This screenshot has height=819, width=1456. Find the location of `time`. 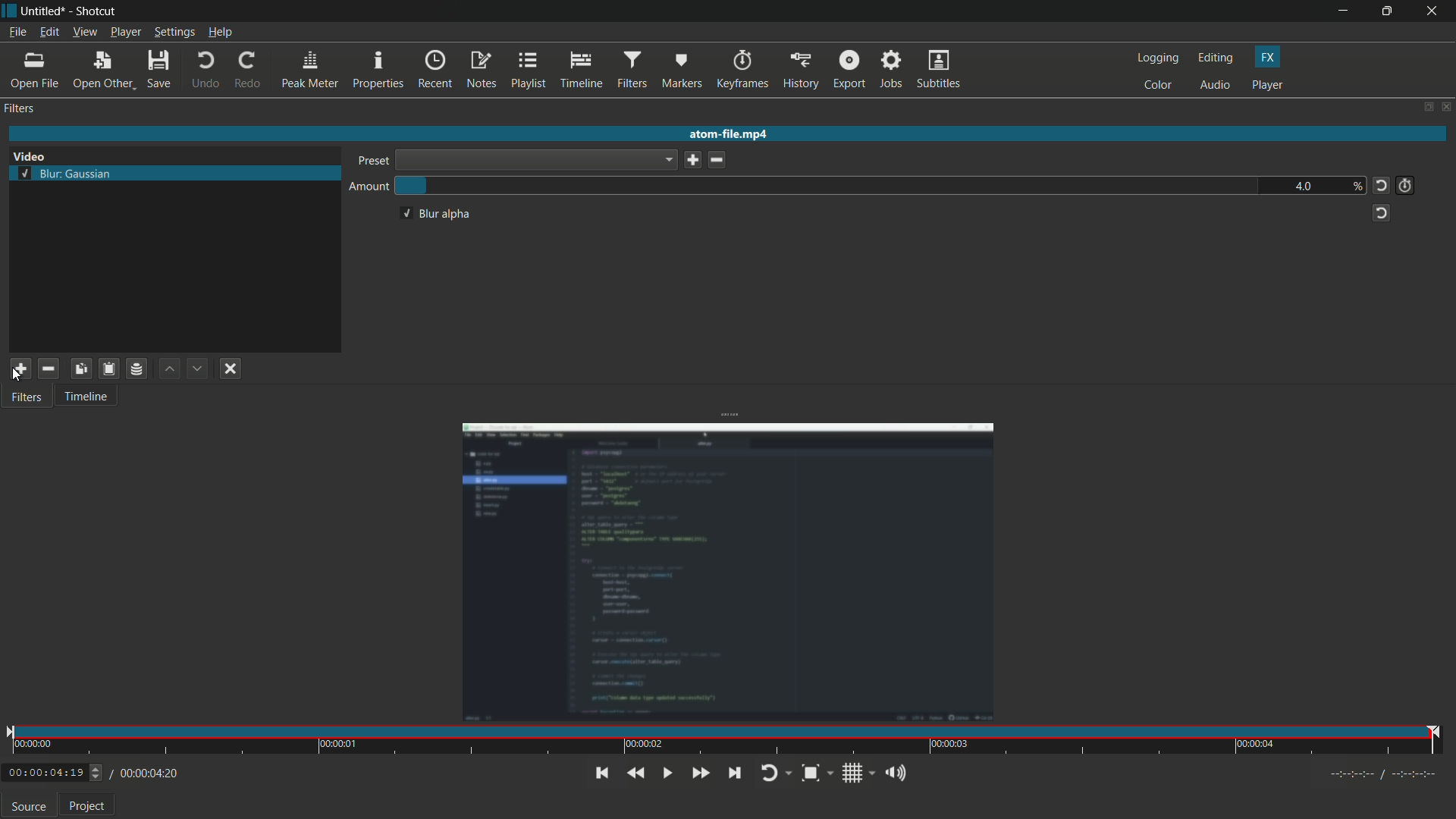

time is located at coordinates (726, 741).